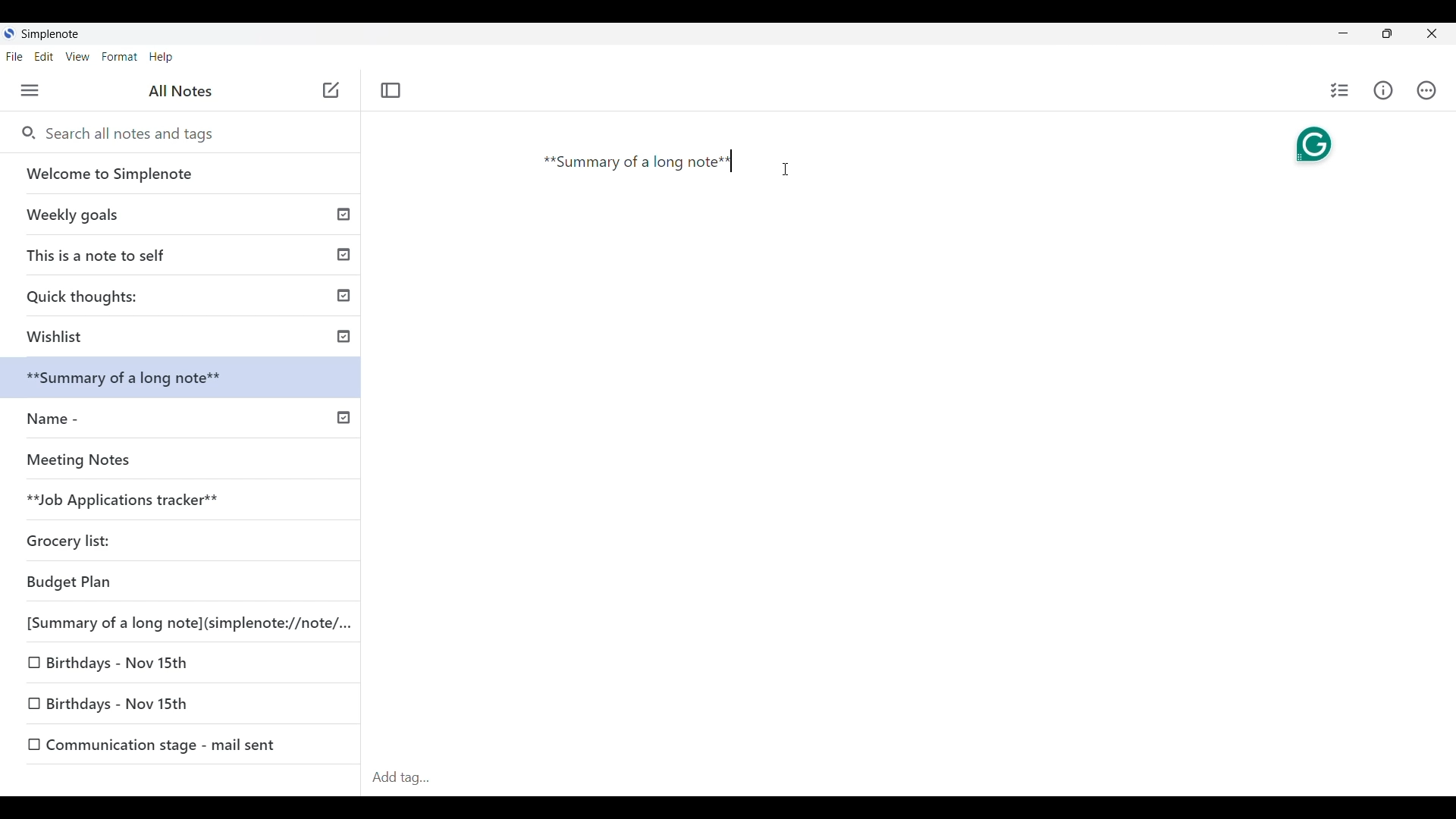 The width and height of the screenshot is (1456, 819). What do you see at coordinates (189, 745) in the screenshot?
I see `Communication stage - mail sent` at bounding box center [189, 745].